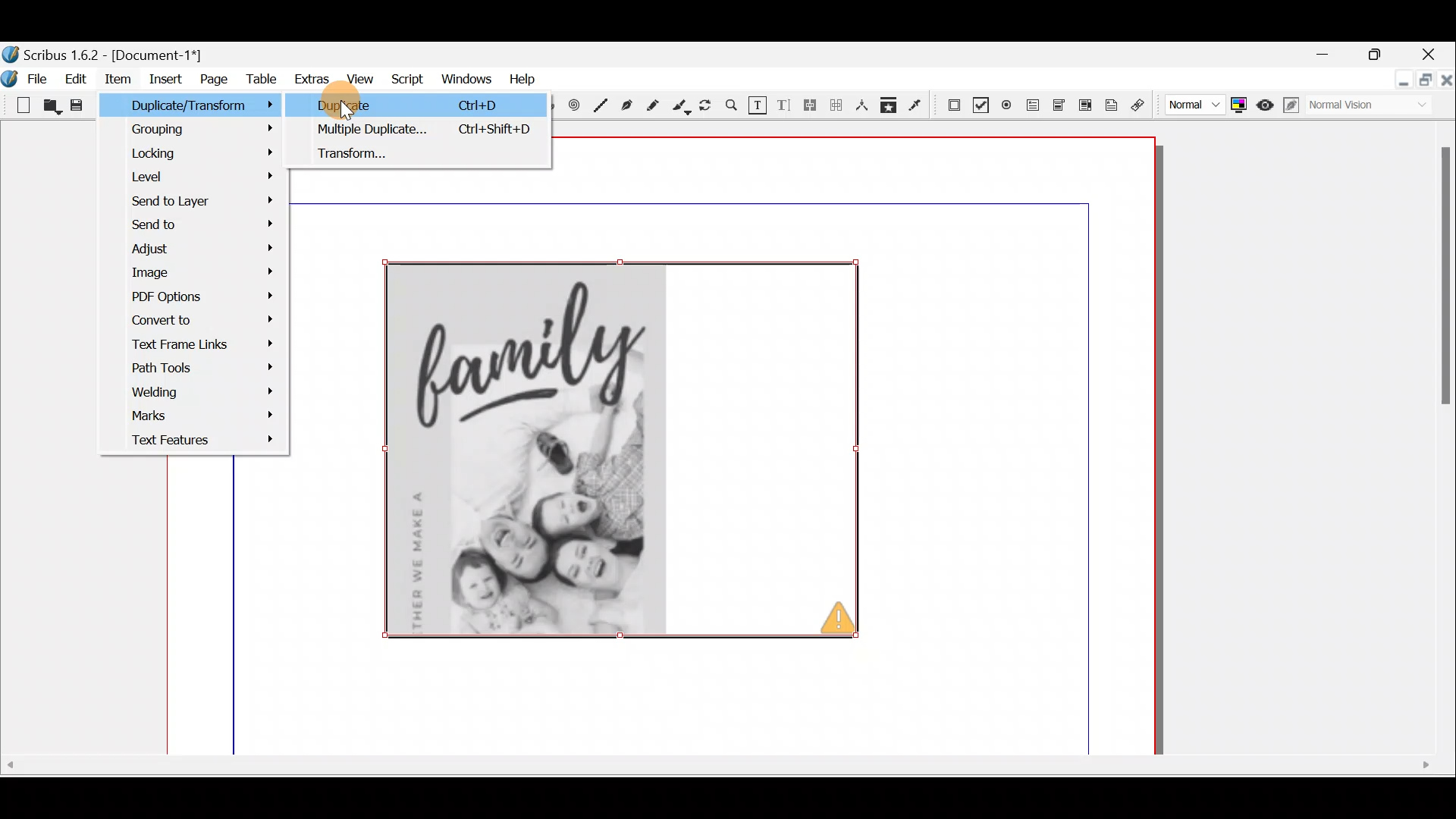 Image resolution: width=1456 pixels, height=819 pixels. I want to click on Zoom in or out, so click(732, 107).